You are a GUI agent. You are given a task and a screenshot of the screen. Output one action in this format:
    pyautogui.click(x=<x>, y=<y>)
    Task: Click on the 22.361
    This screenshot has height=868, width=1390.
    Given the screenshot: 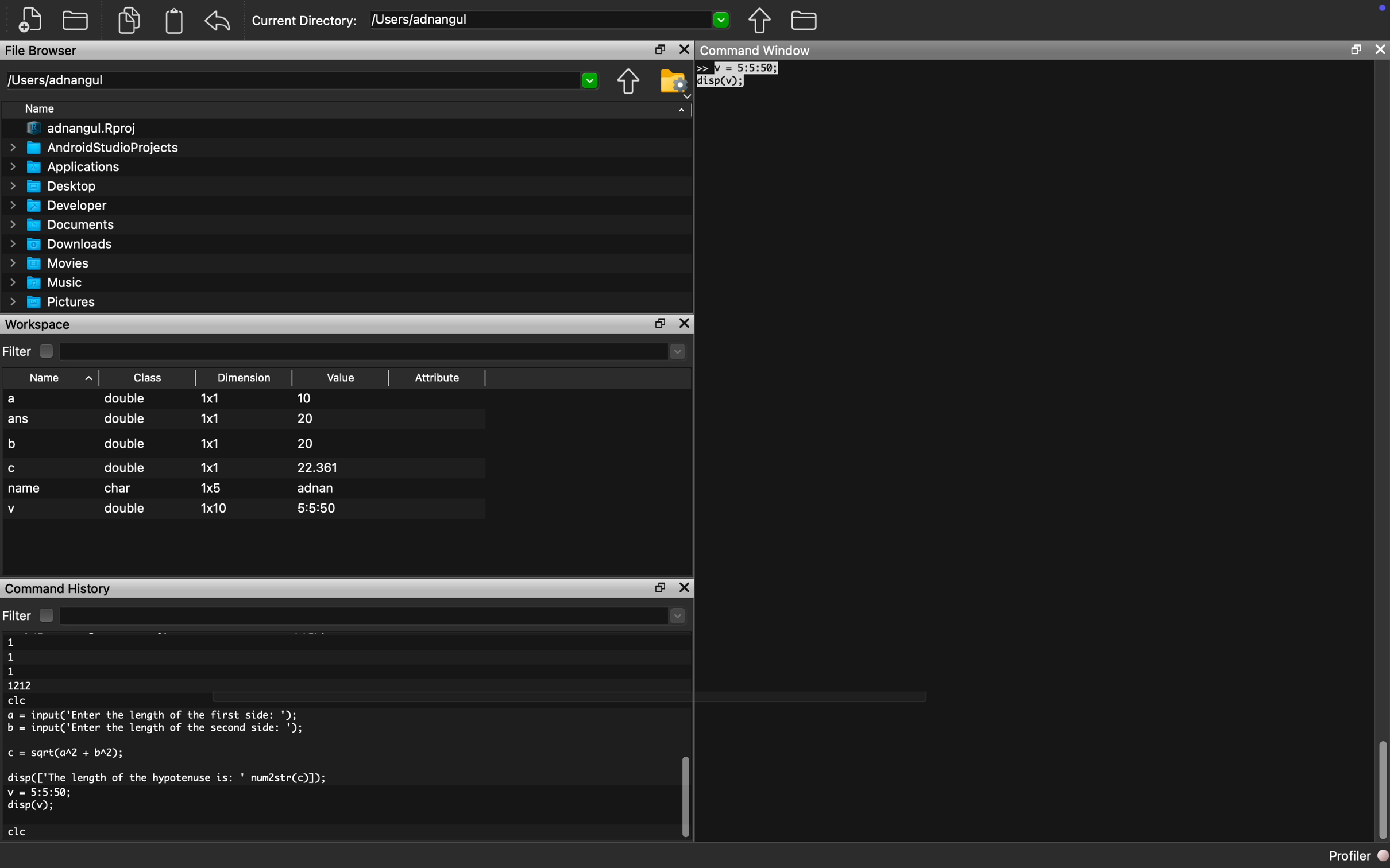 What is the action you would take?
    pyautogui.click(x=319, y=467)
    